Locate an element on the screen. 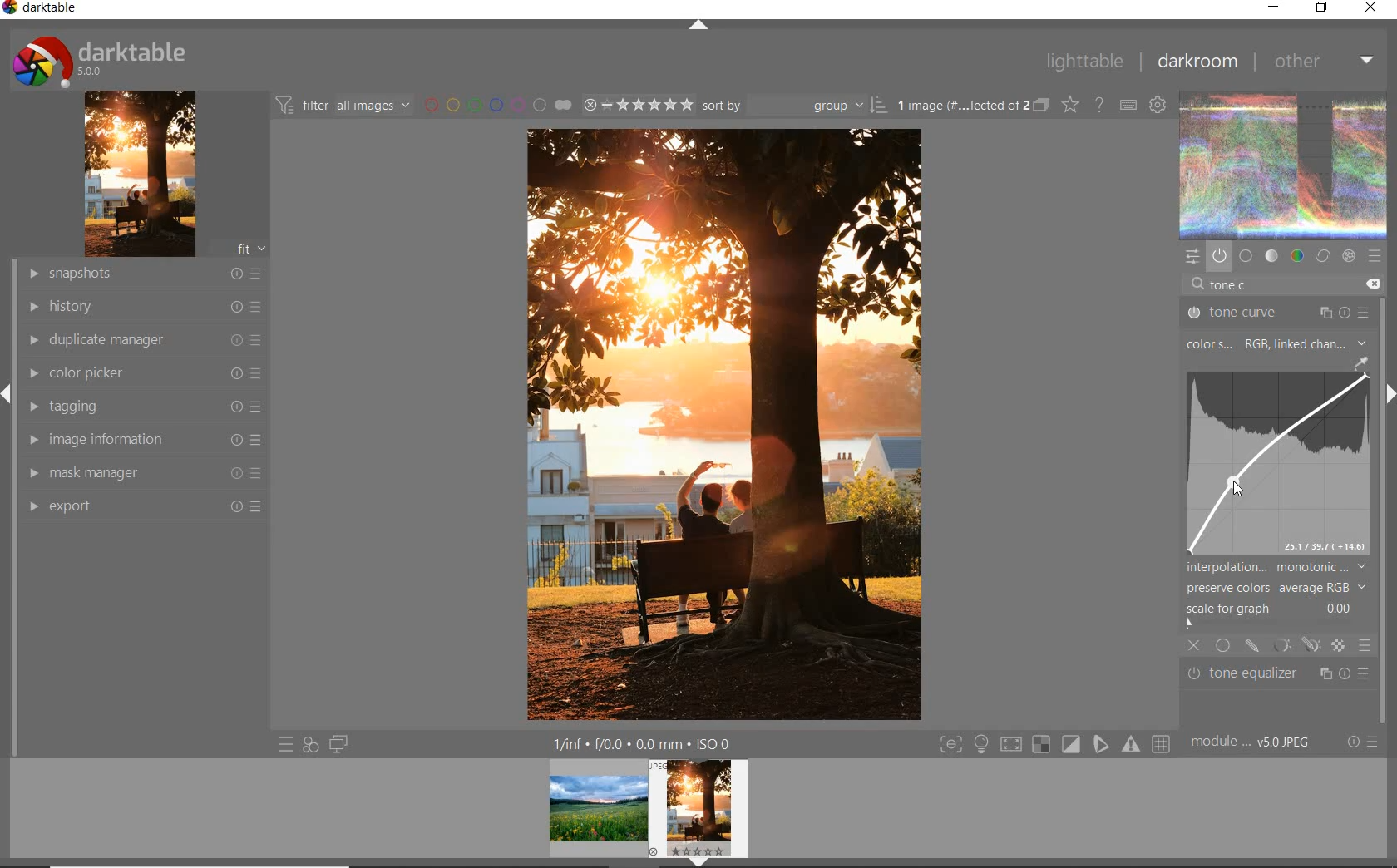 Image resolution: width=1397 pixels, height=868 pixels. correct is located at coordinates (1322, 256).